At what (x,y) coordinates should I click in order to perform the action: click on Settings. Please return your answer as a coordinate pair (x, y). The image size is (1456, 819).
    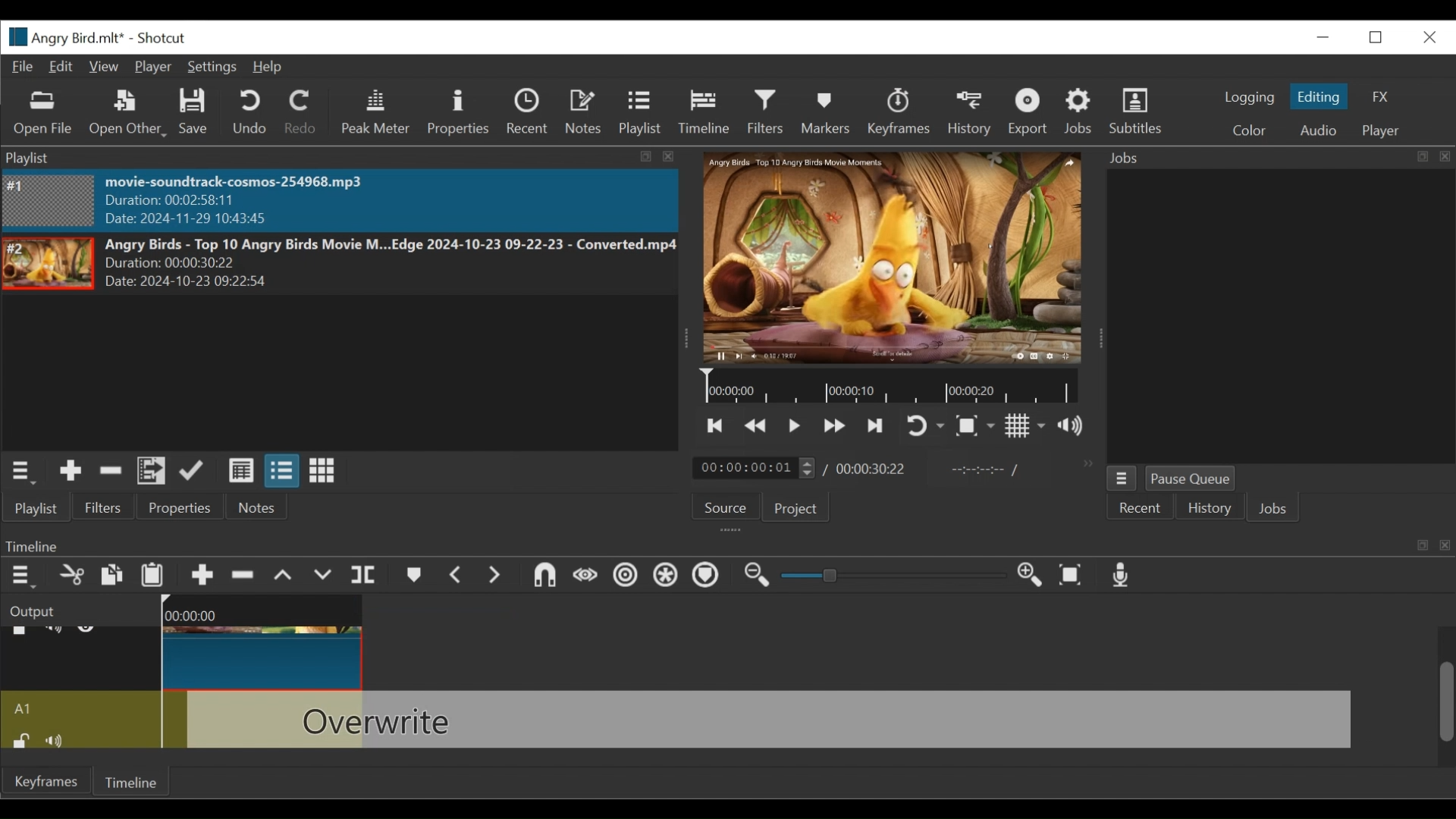
    Looking at the image, I should click on (210, 67).